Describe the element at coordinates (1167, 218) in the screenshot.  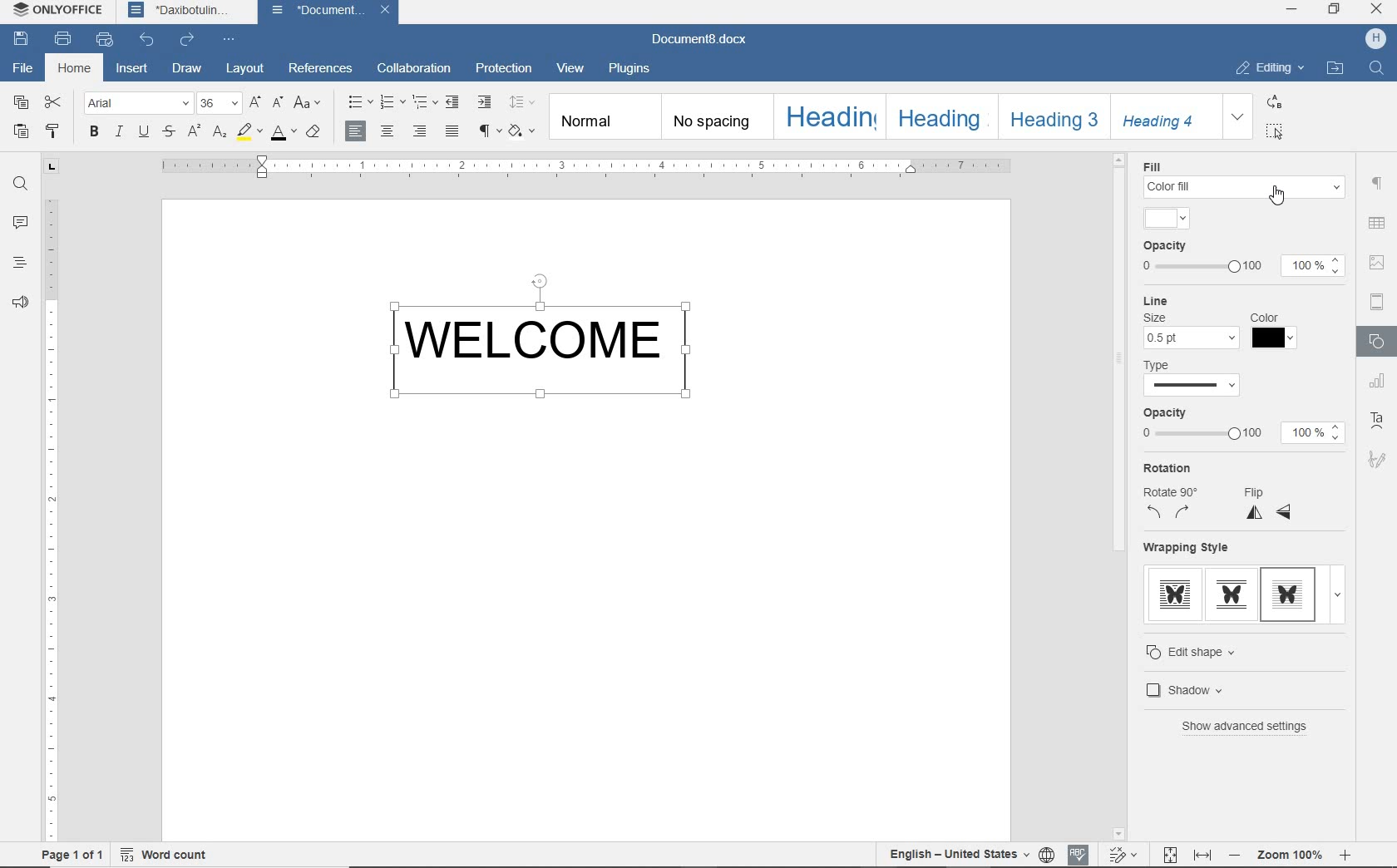
I see `style` at that location.